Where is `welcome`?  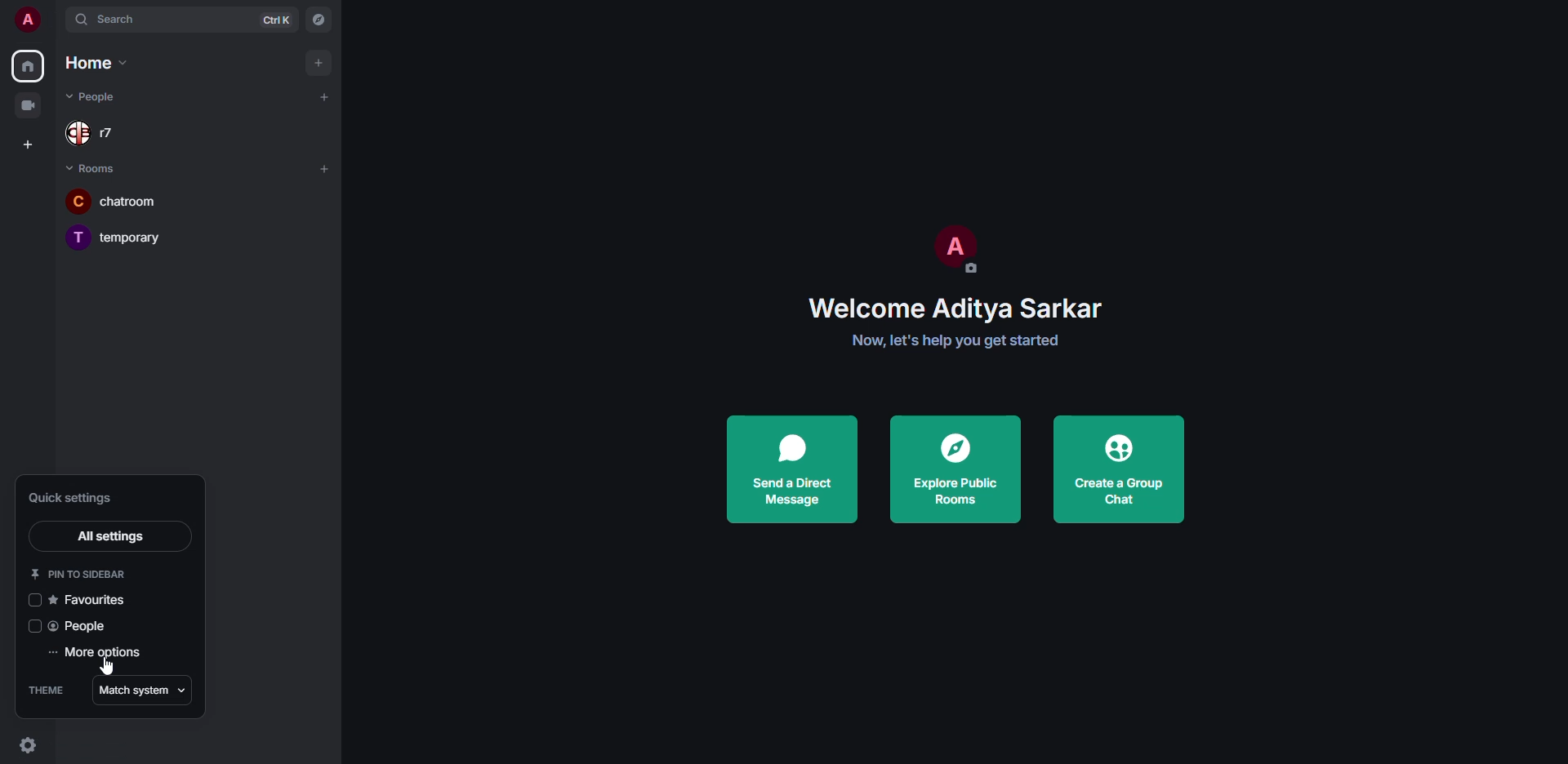 welcome is located at coordinates (958, 307).